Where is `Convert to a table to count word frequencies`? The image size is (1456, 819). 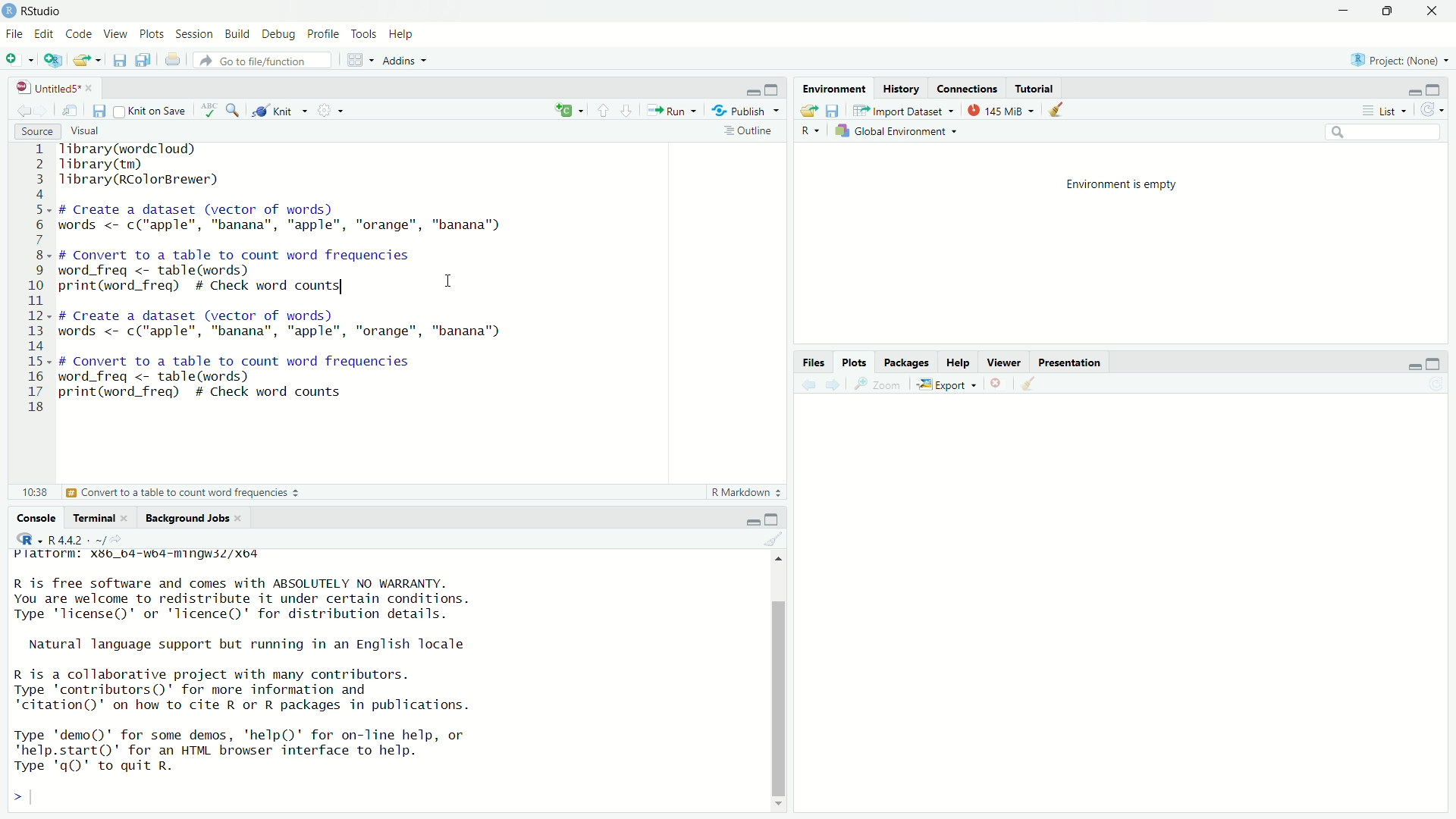
Convert to a table to count word frequencies is located at coordinates (184, 491).